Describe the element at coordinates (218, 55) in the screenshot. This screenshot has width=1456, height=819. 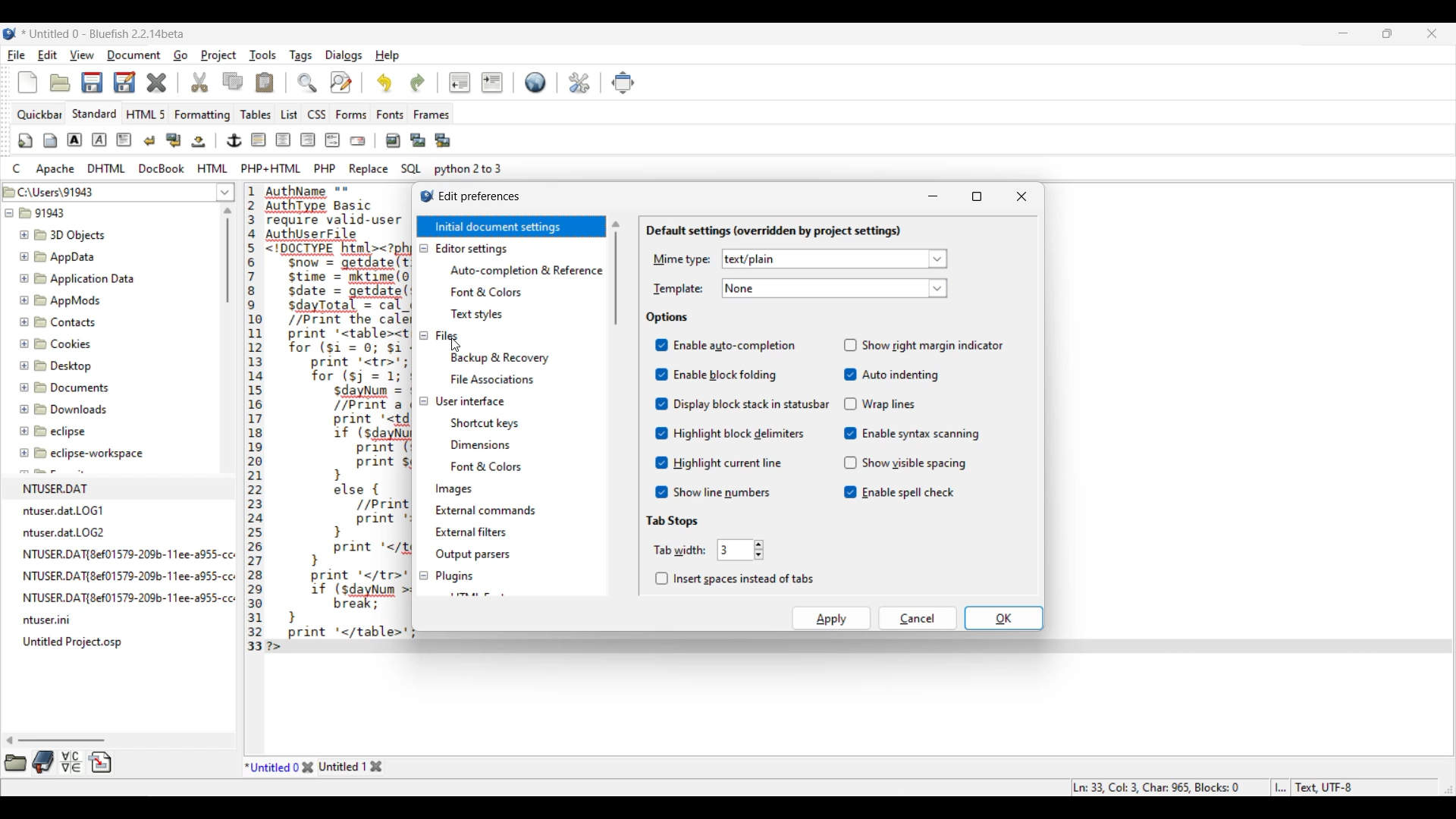
I see `Project menu` at that location.